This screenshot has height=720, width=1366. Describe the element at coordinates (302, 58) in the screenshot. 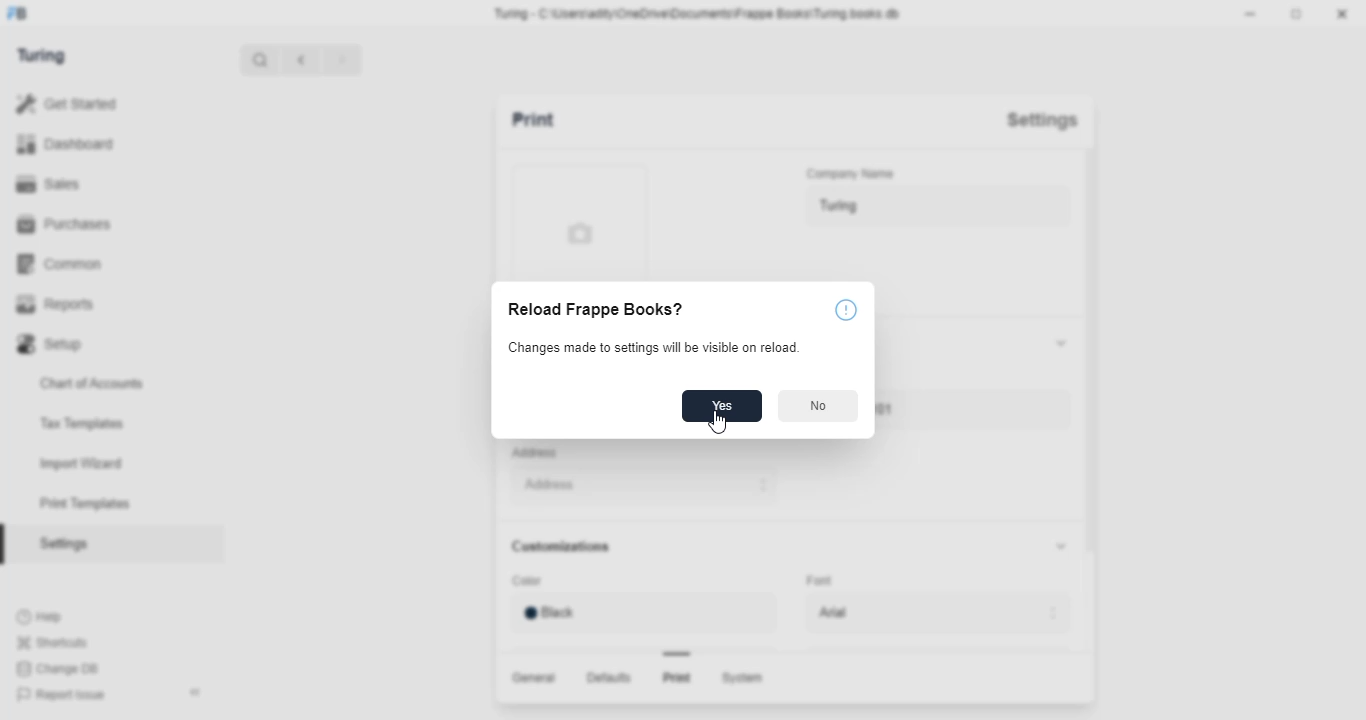

I see `go back` at that location.